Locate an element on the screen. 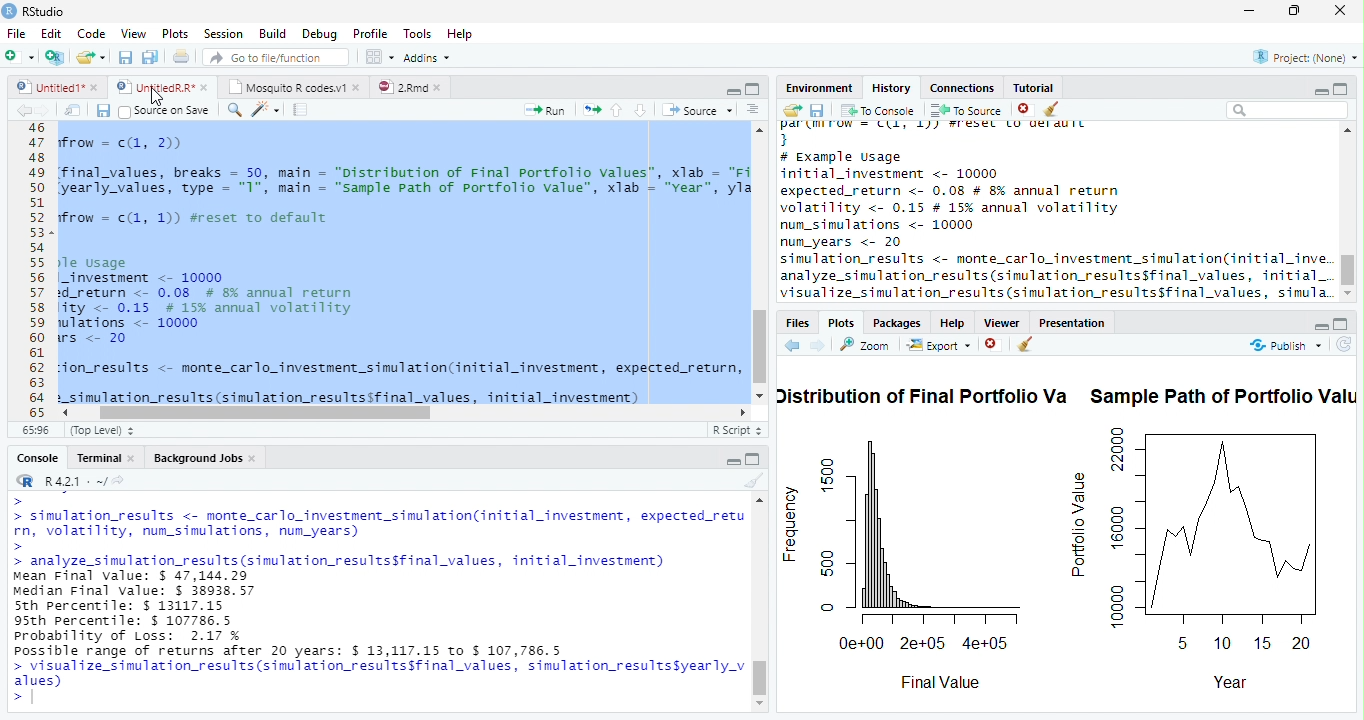 The image size is (1364, 720). Final Value is located at coordinates (940, 682).